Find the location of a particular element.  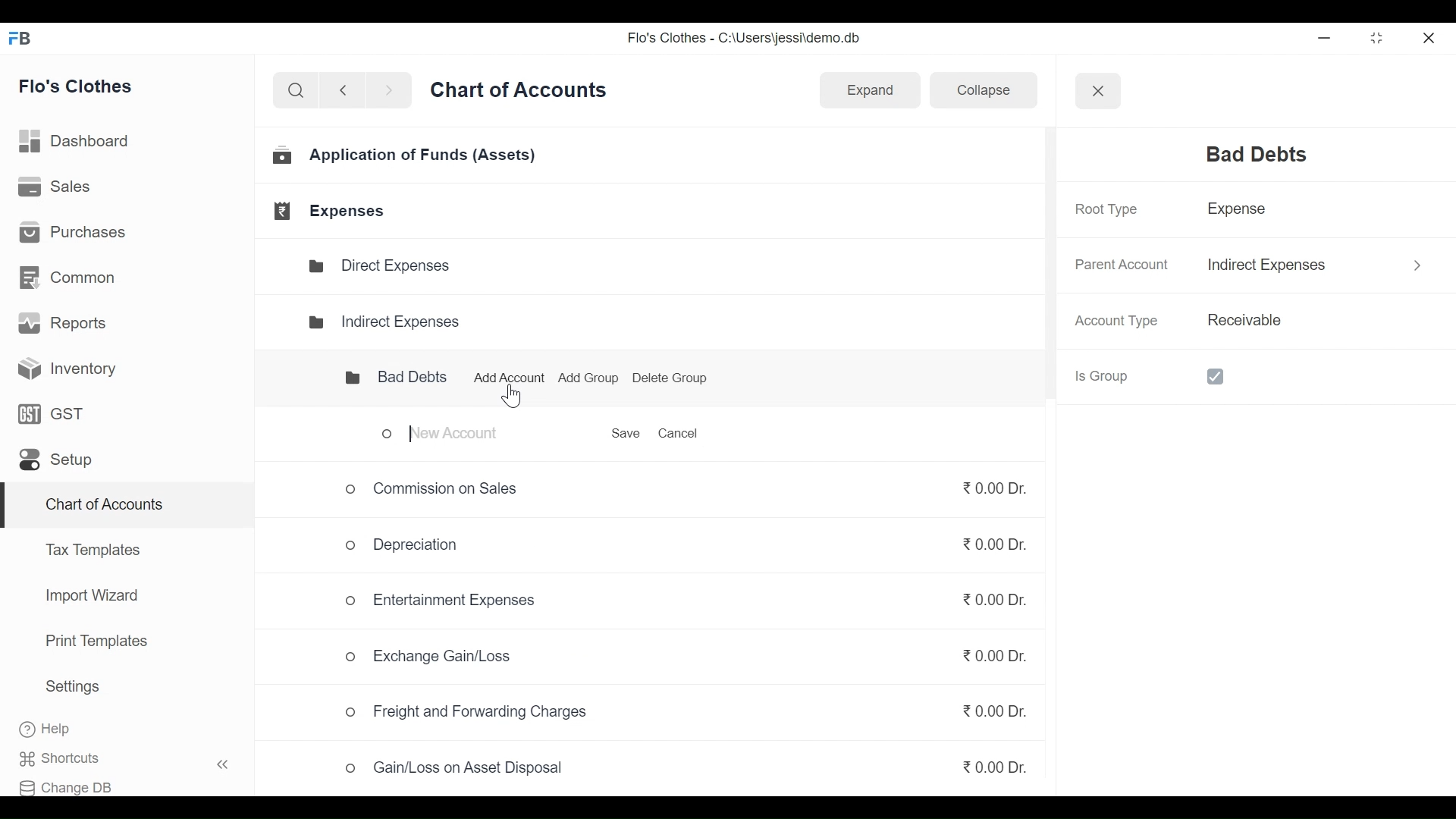

Chart of Accounts is located at coordinates (101, 507).